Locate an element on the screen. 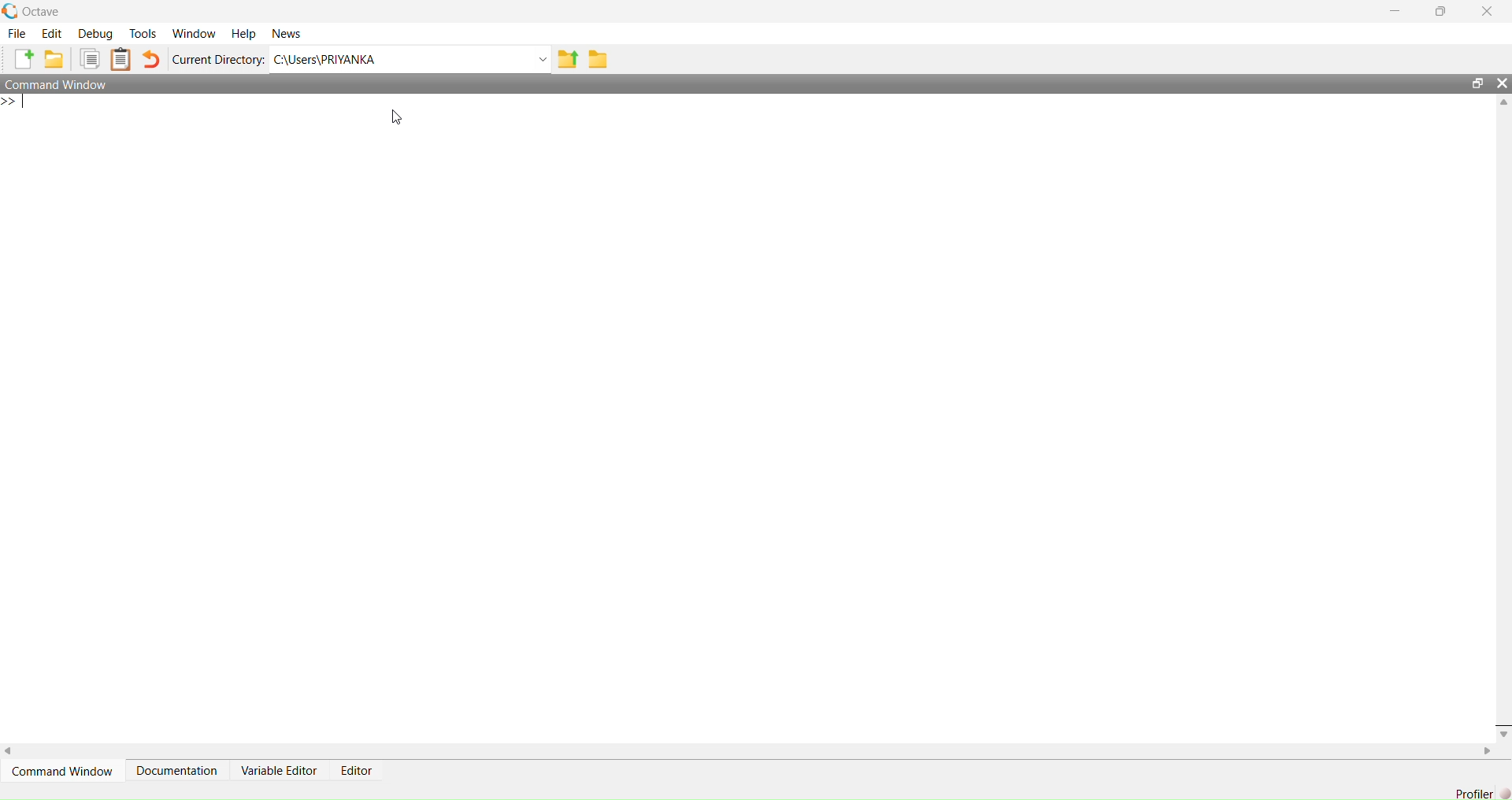 The height and width of the screenshot is (800, 1512). Close is located at coordinates (1503, 83).